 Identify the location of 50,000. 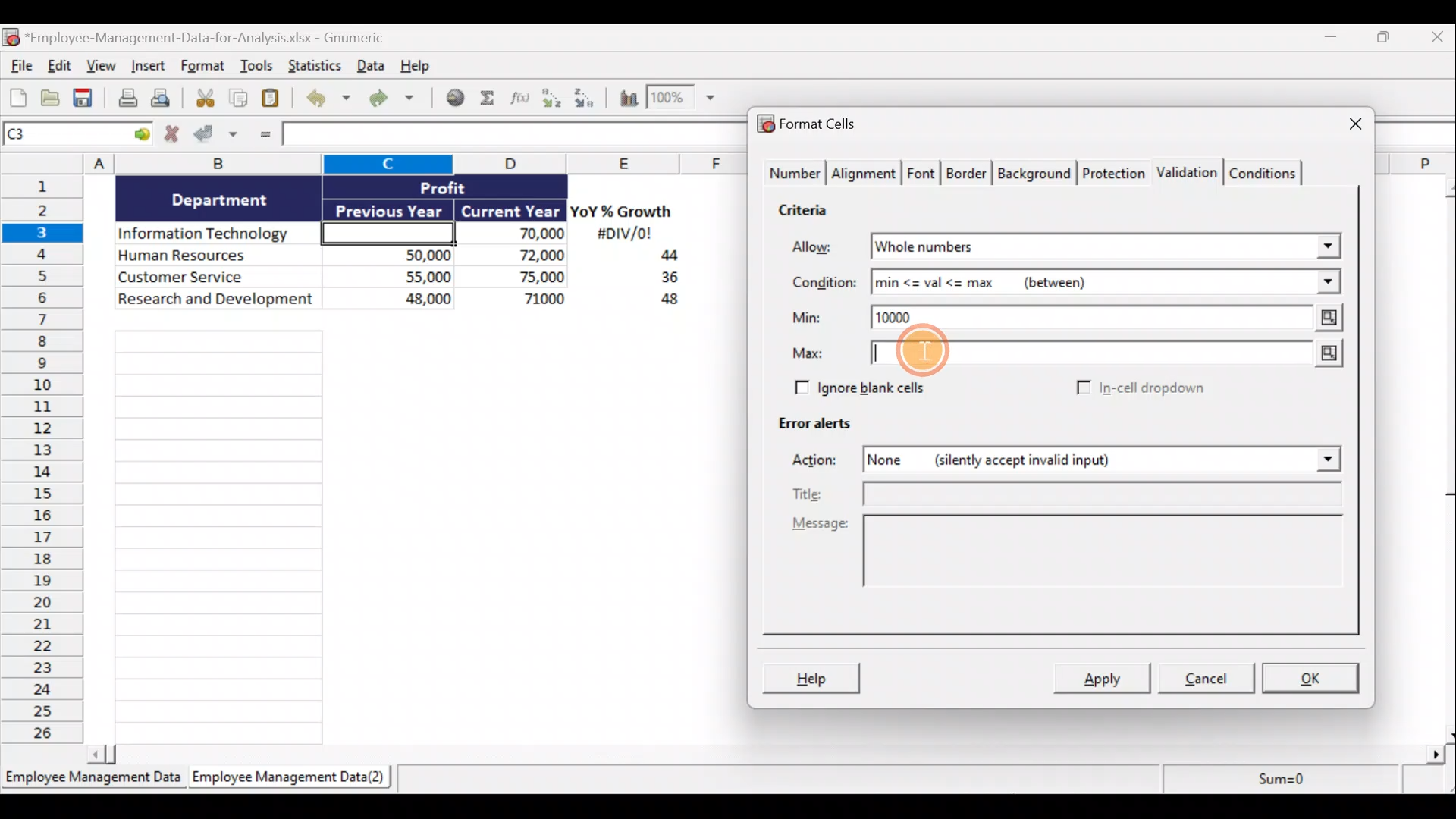
(397, 254).